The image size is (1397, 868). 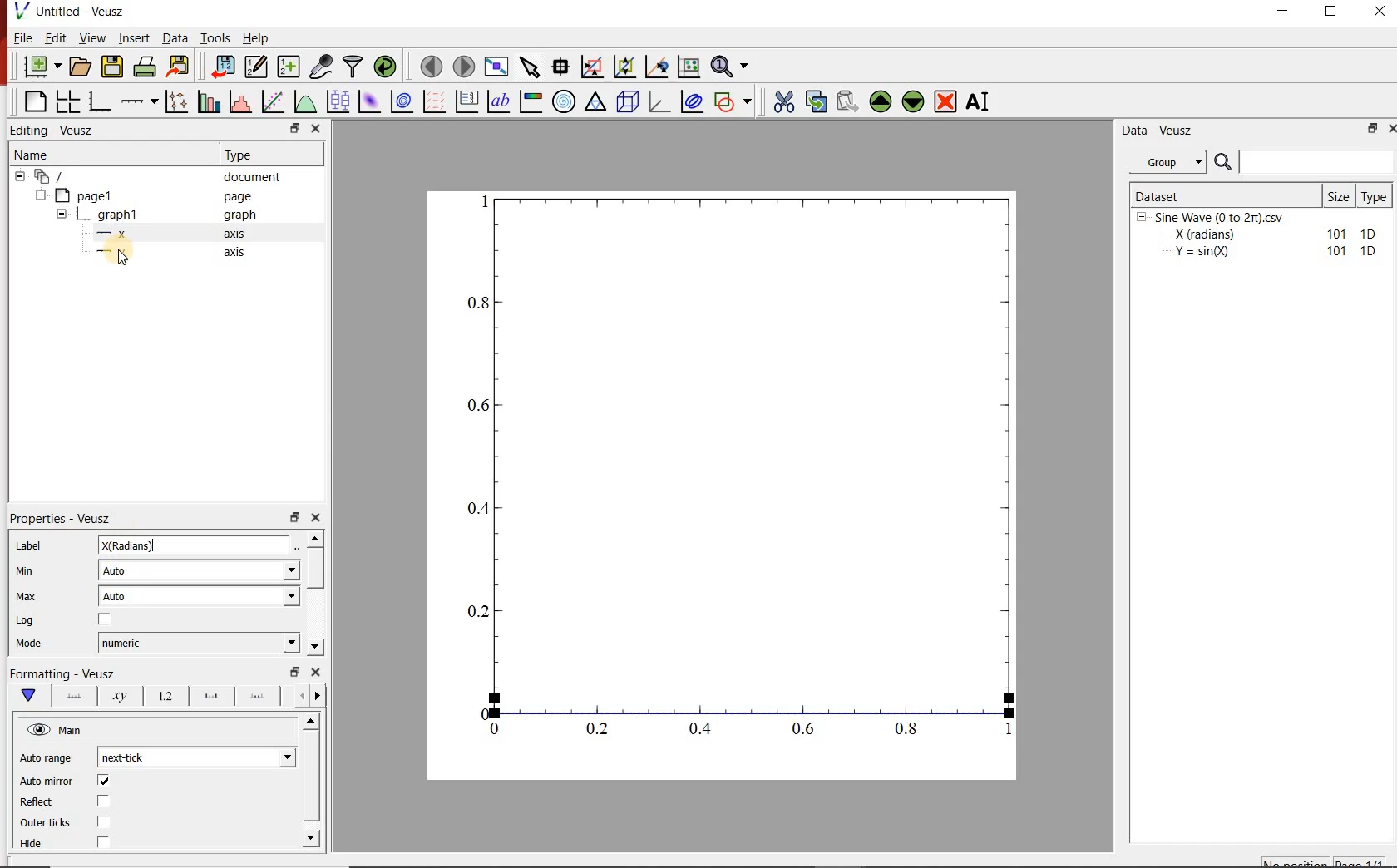 I want to click on Close, so click(x=317, y=515).